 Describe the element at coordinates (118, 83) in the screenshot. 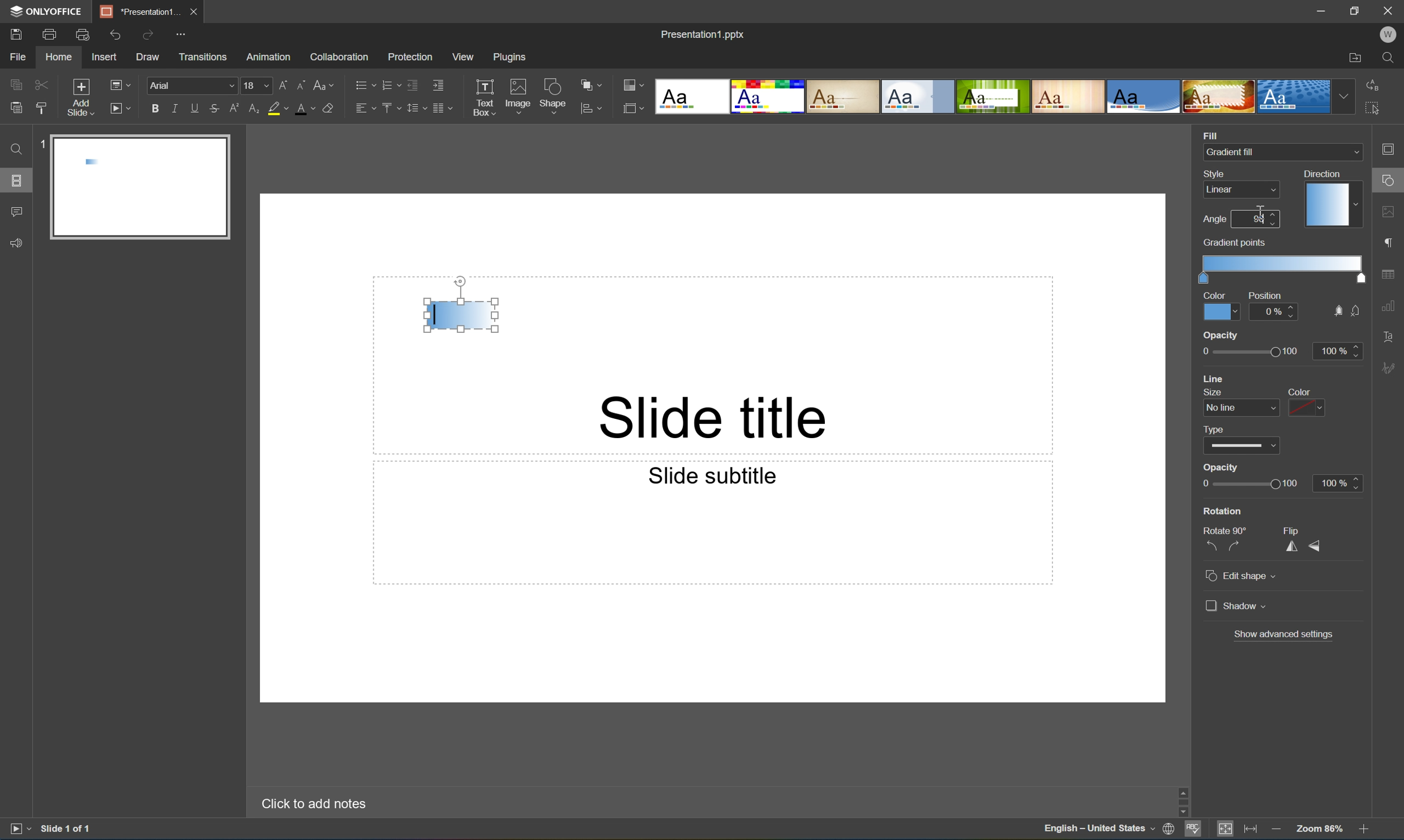

I see `Change slide layout` at that location.